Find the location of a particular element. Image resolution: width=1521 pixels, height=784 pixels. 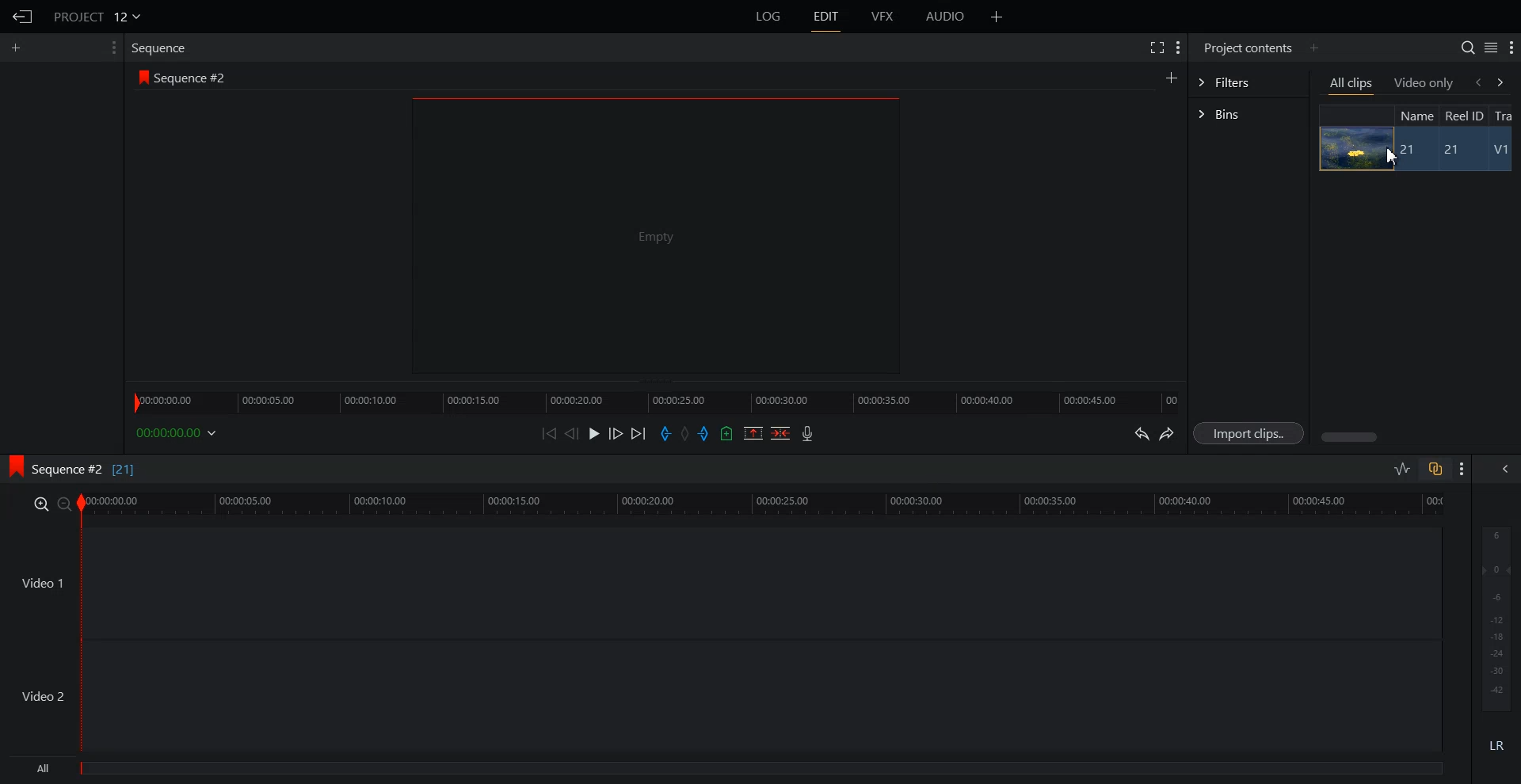

Delete is located at coordinates (781, 433).